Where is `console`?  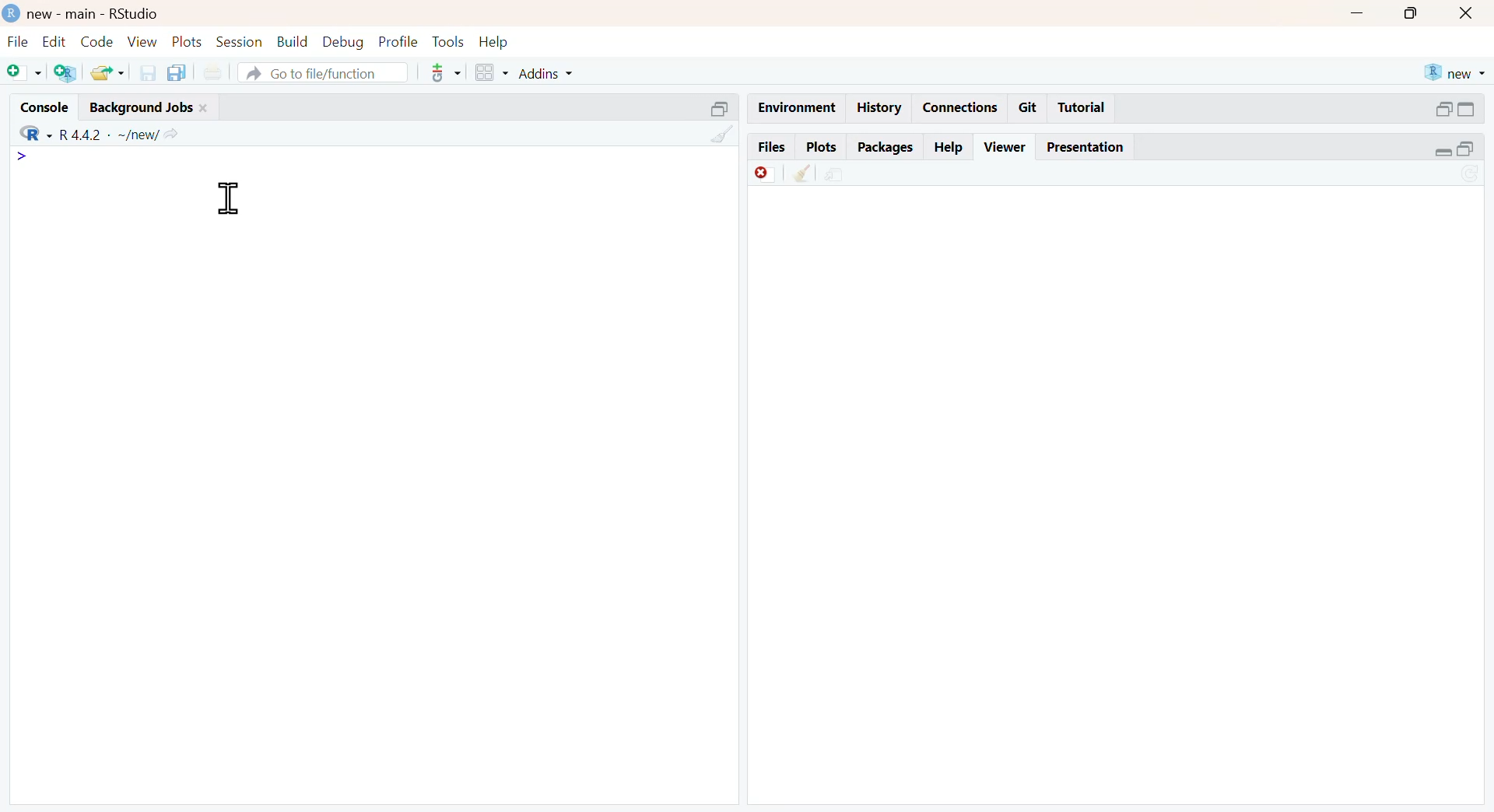
console is located at coordinates (44, 107).